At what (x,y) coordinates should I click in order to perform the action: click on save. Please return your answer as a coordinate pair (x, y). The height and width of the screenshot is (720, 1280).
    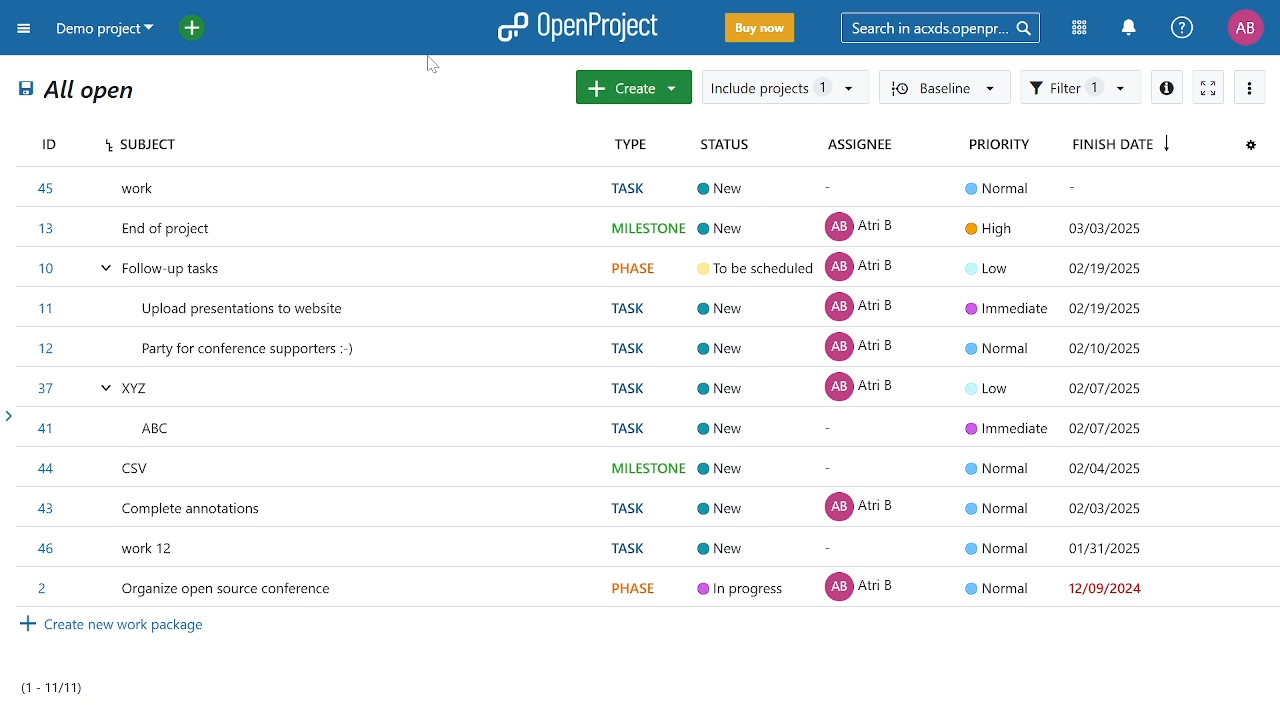
    Looking at the image, I should click on (27, 92).